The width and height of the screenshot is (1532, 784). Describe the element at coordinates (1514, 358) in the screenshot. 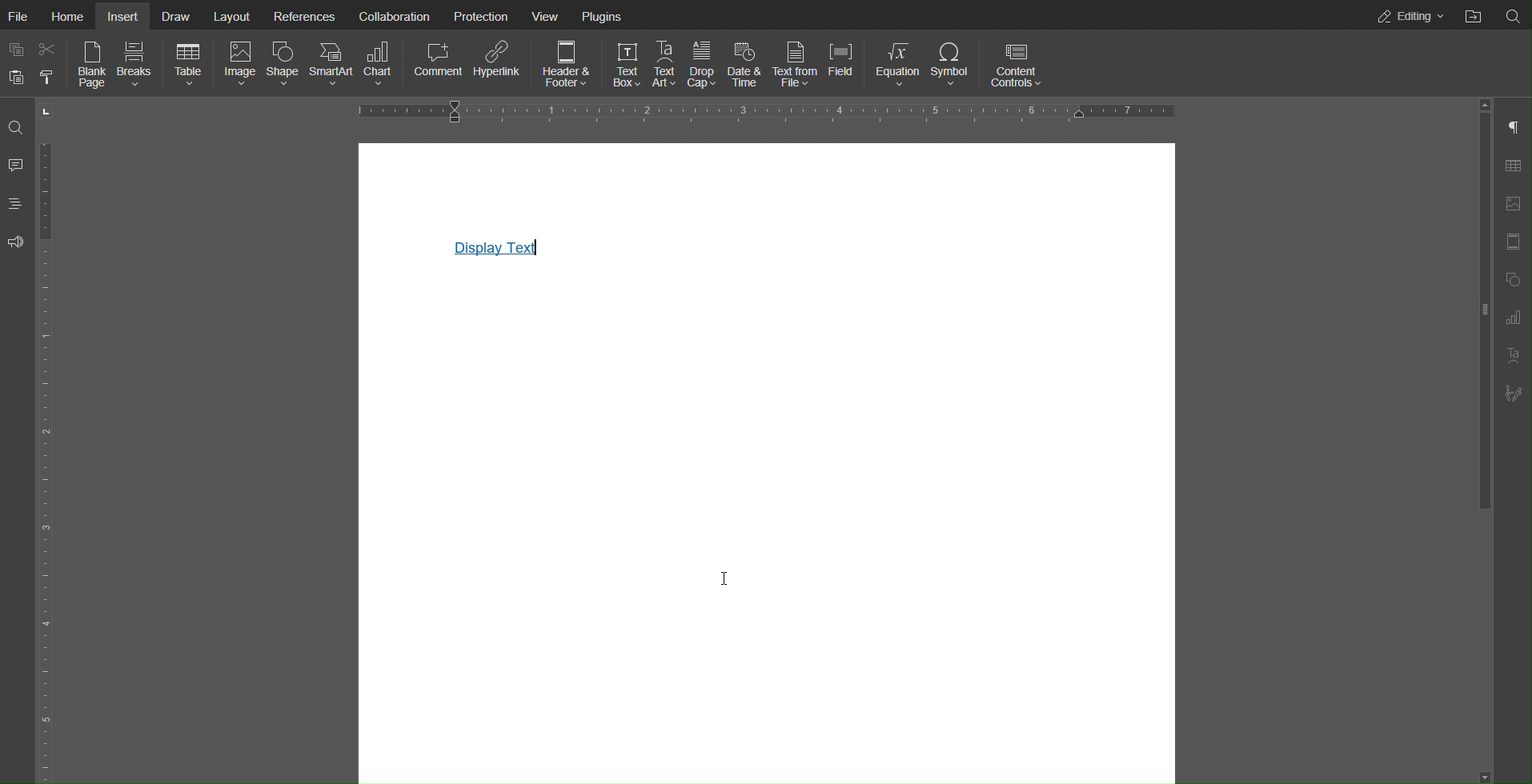

I see `Text Art` at that location.